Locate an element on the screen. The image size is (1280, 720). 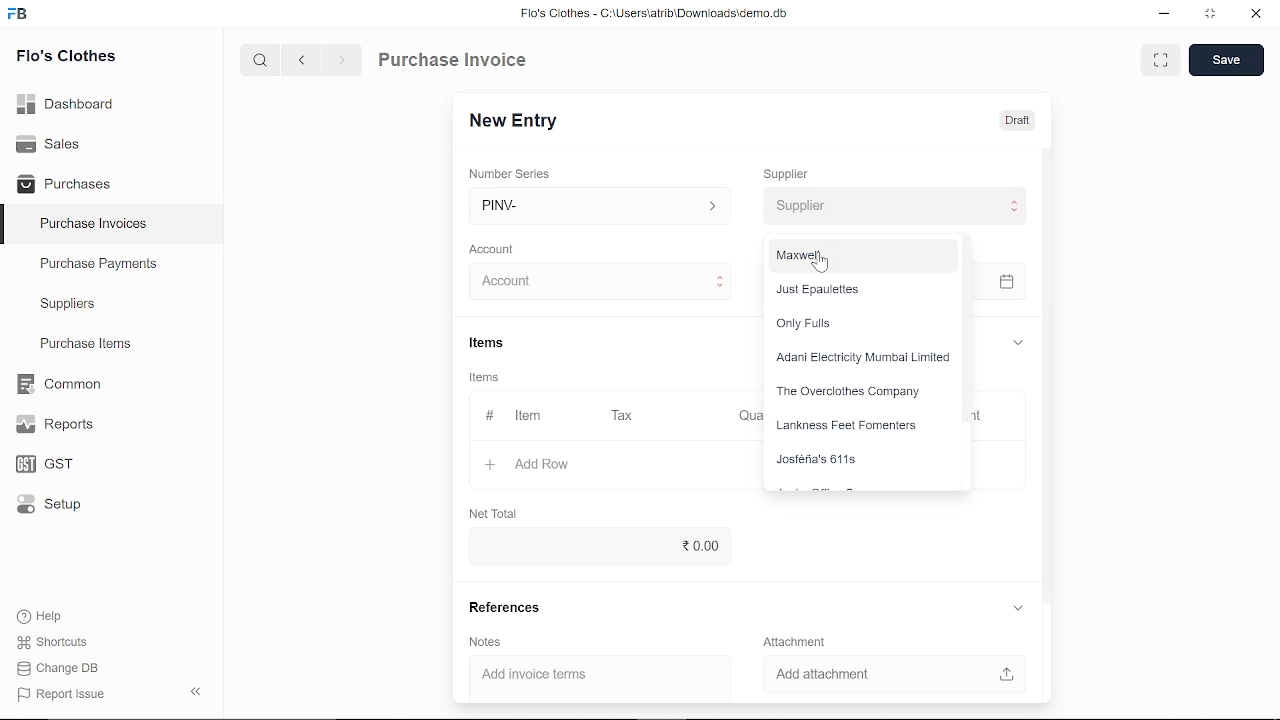
Items is located at coordinates (502, 343).